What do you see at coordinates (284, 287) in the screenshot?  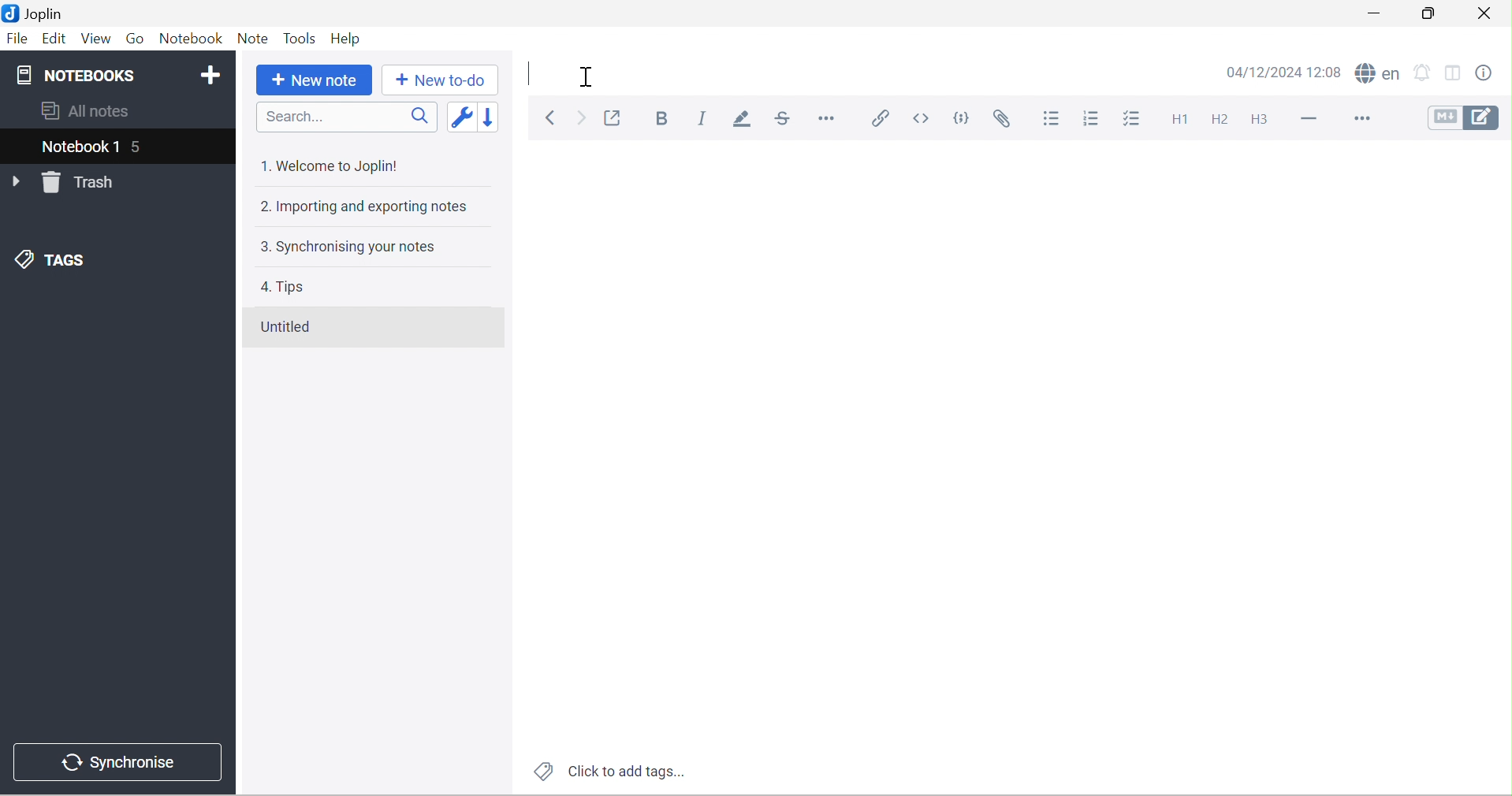 I see `4. Tips` at bounding box center [284, 287].